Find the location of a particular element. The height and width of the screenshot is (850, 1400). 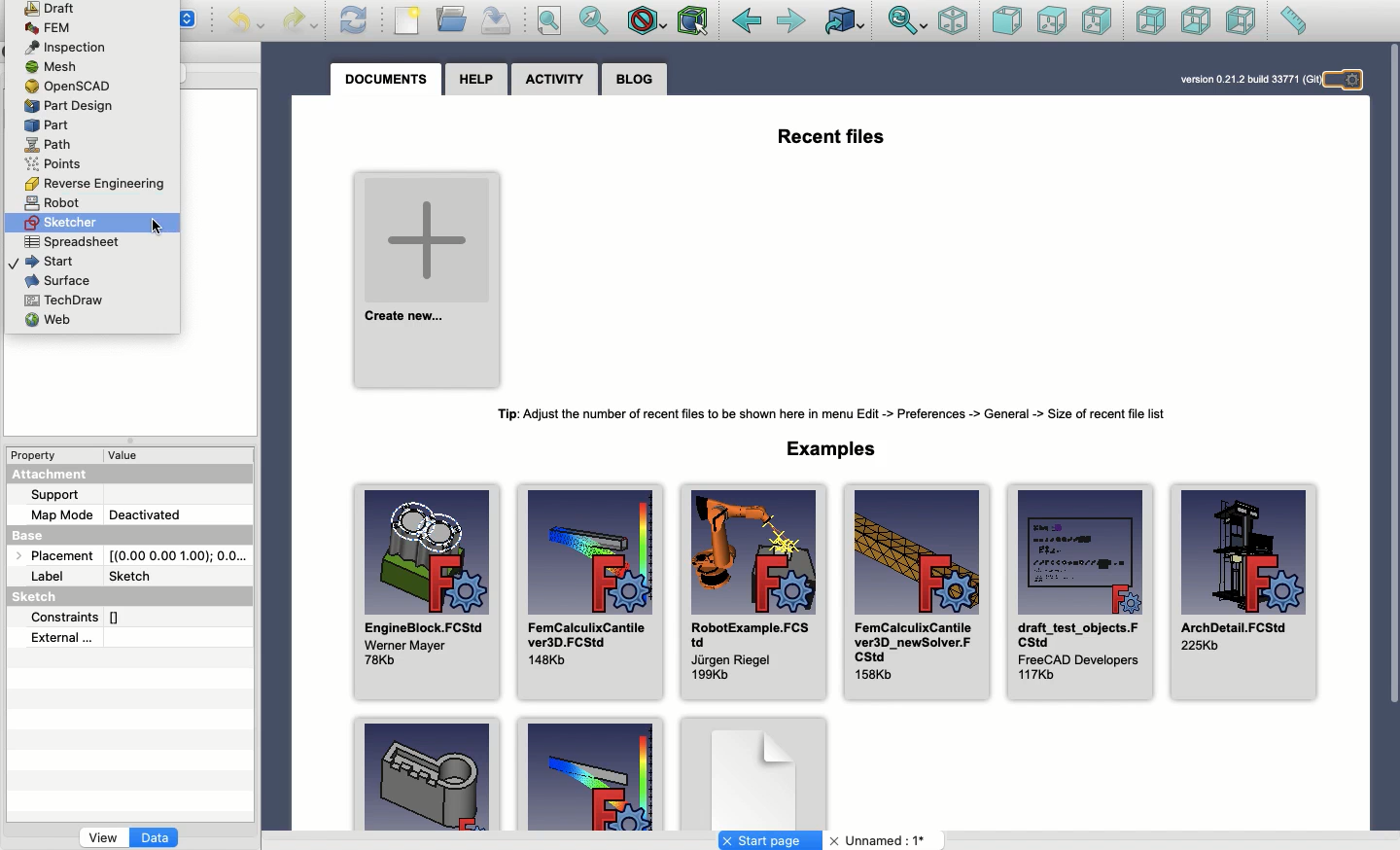

RobotExample is located at coordinates (754, 593).